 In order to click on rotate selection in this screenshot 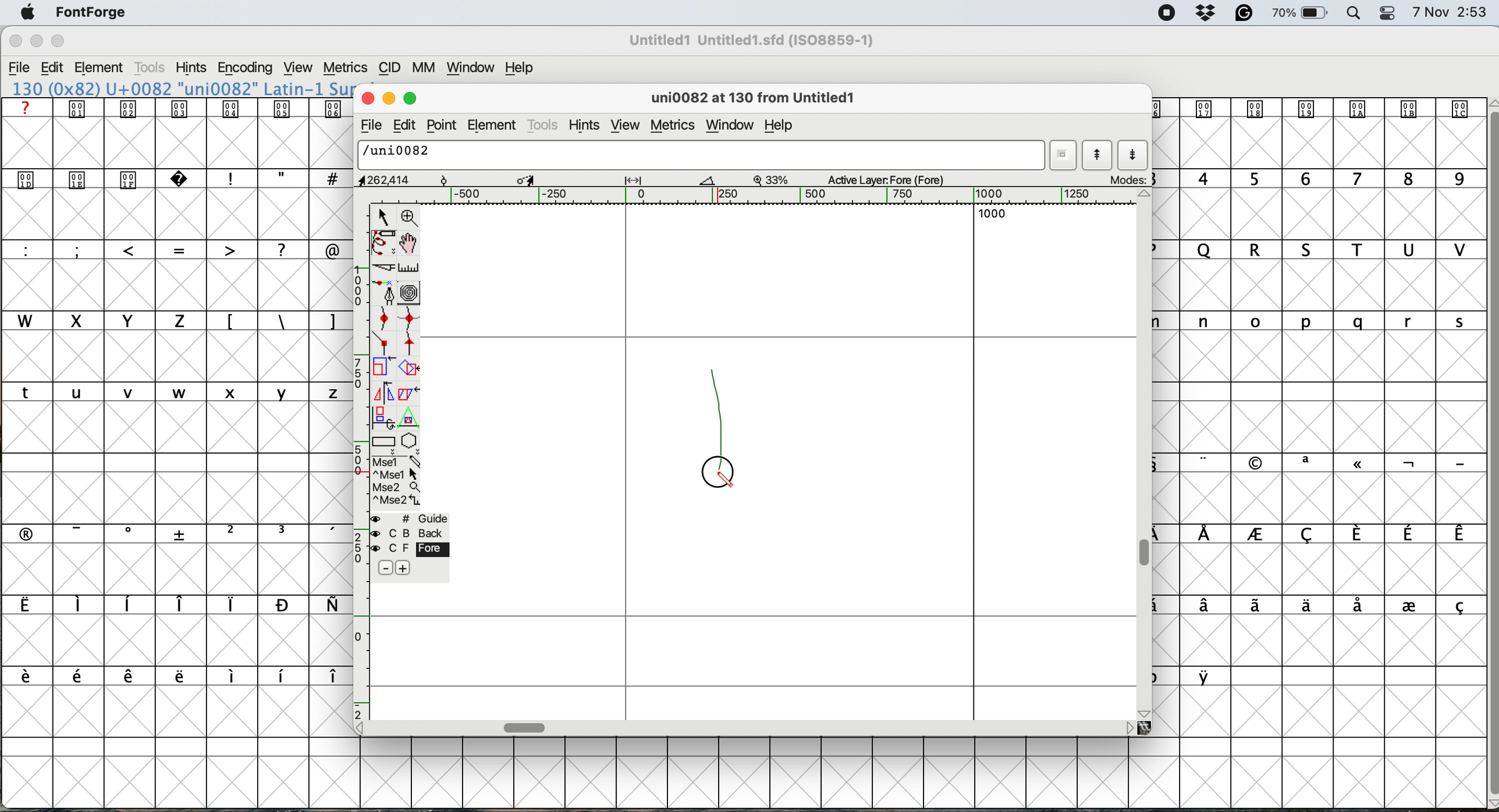, I will do `click(410, 369)`.